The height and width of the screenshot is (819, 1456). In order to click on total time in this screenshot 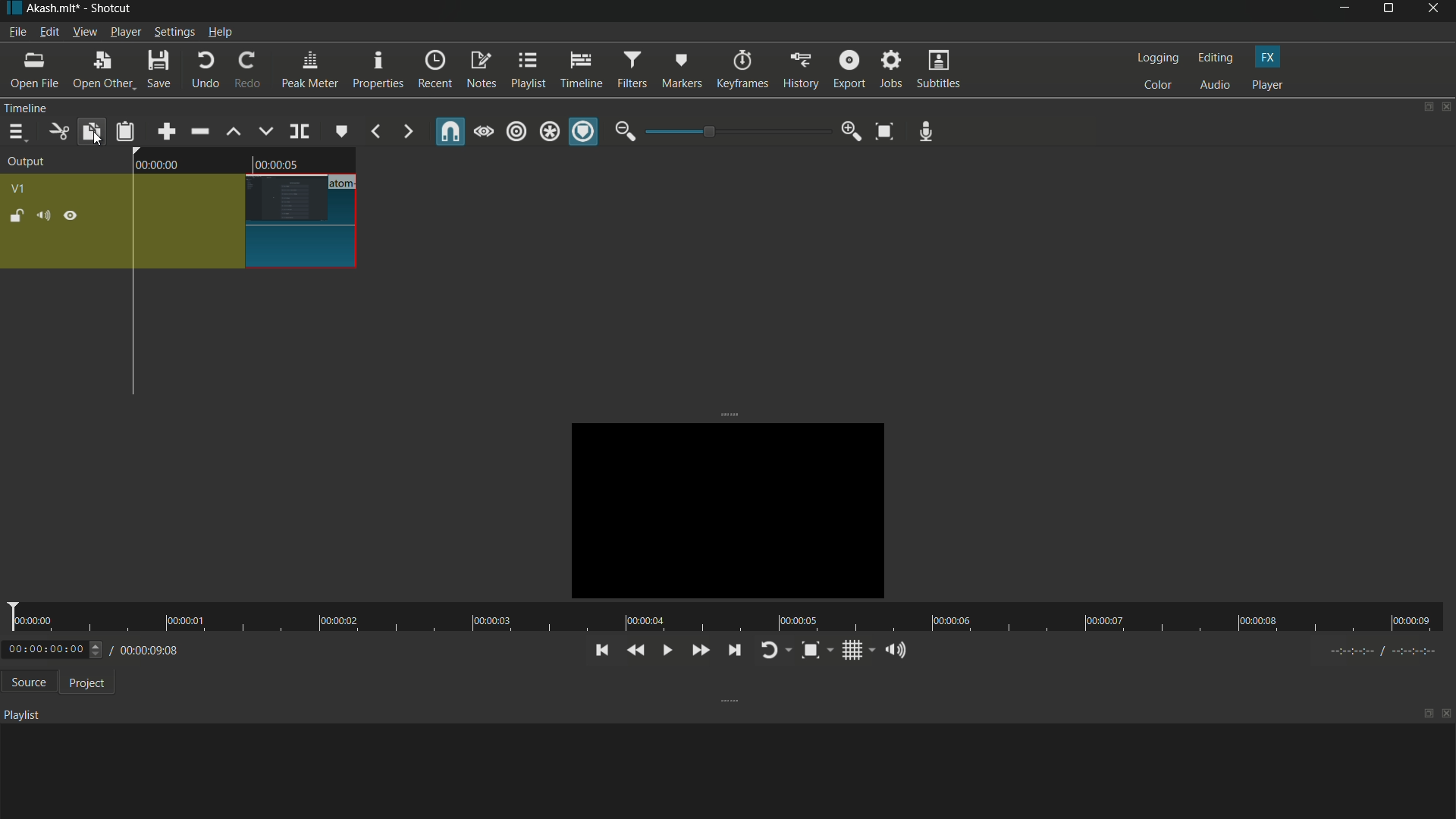, I will do `click(168, 692)`.